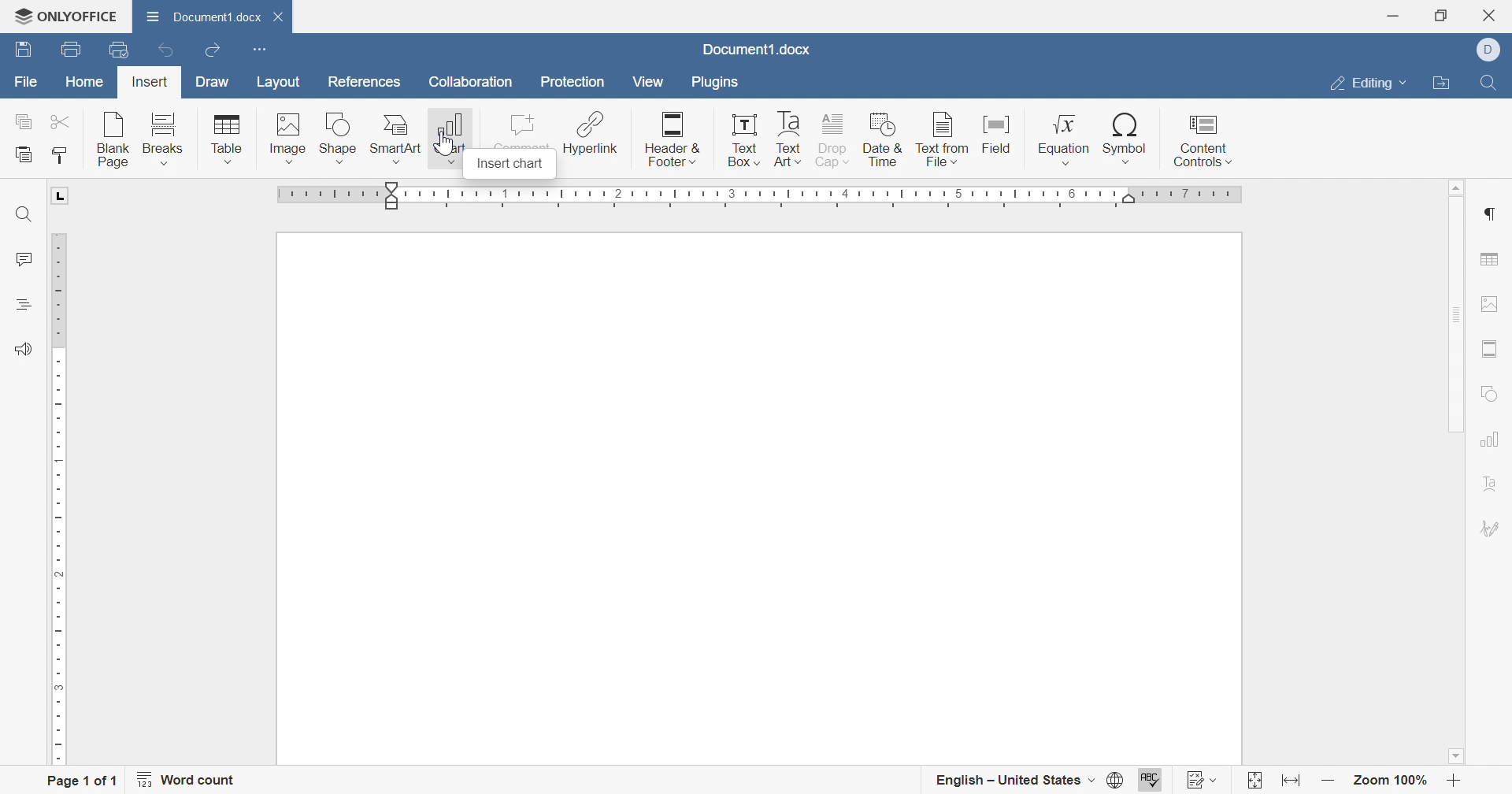 This screenshot has height=794, width=1512. I want to click on Ruler, so click(61, 499).